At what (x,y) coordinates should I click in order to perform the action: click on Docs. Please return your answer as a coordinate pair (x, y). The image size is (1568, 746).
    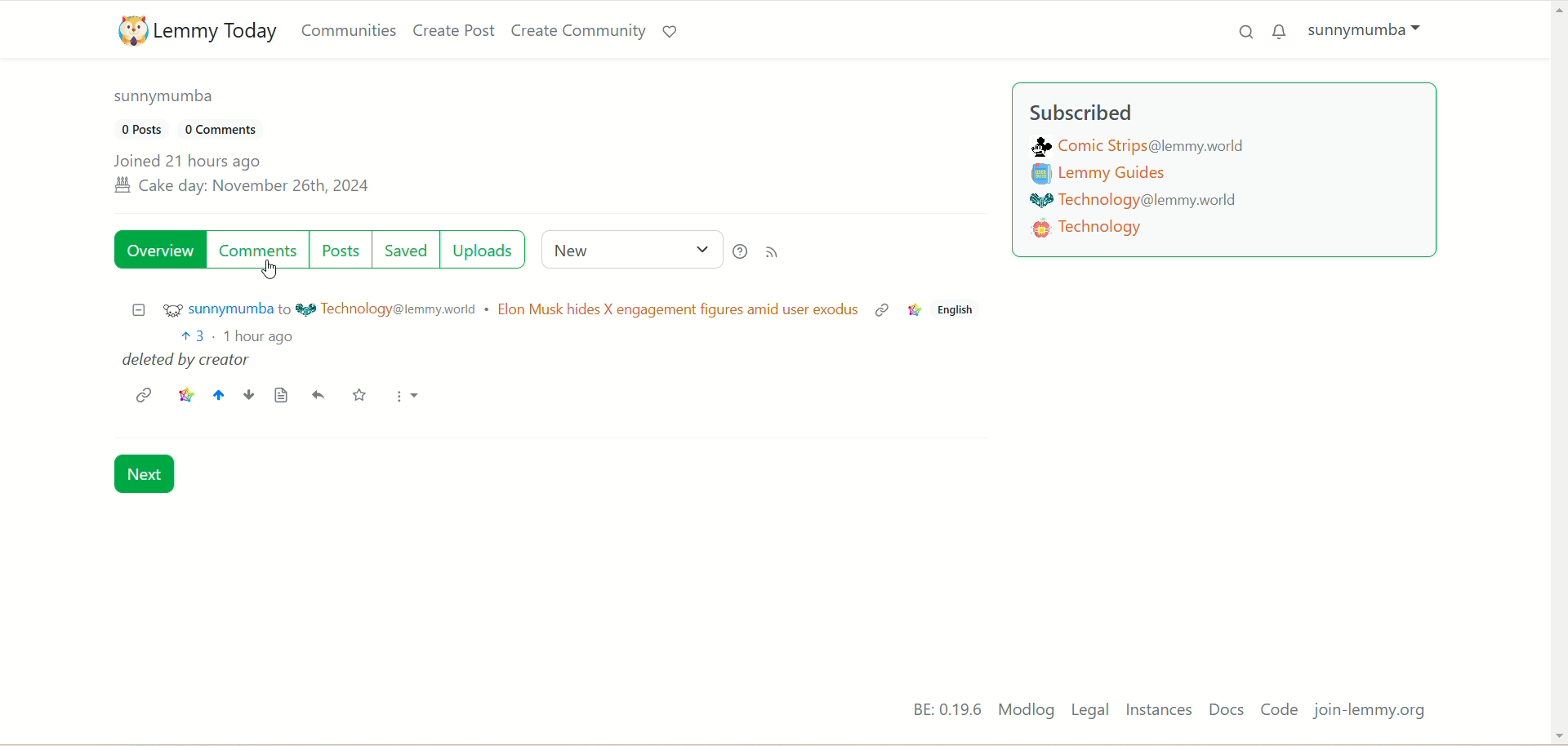
    Looking at the image, I should click on (1230, 710).